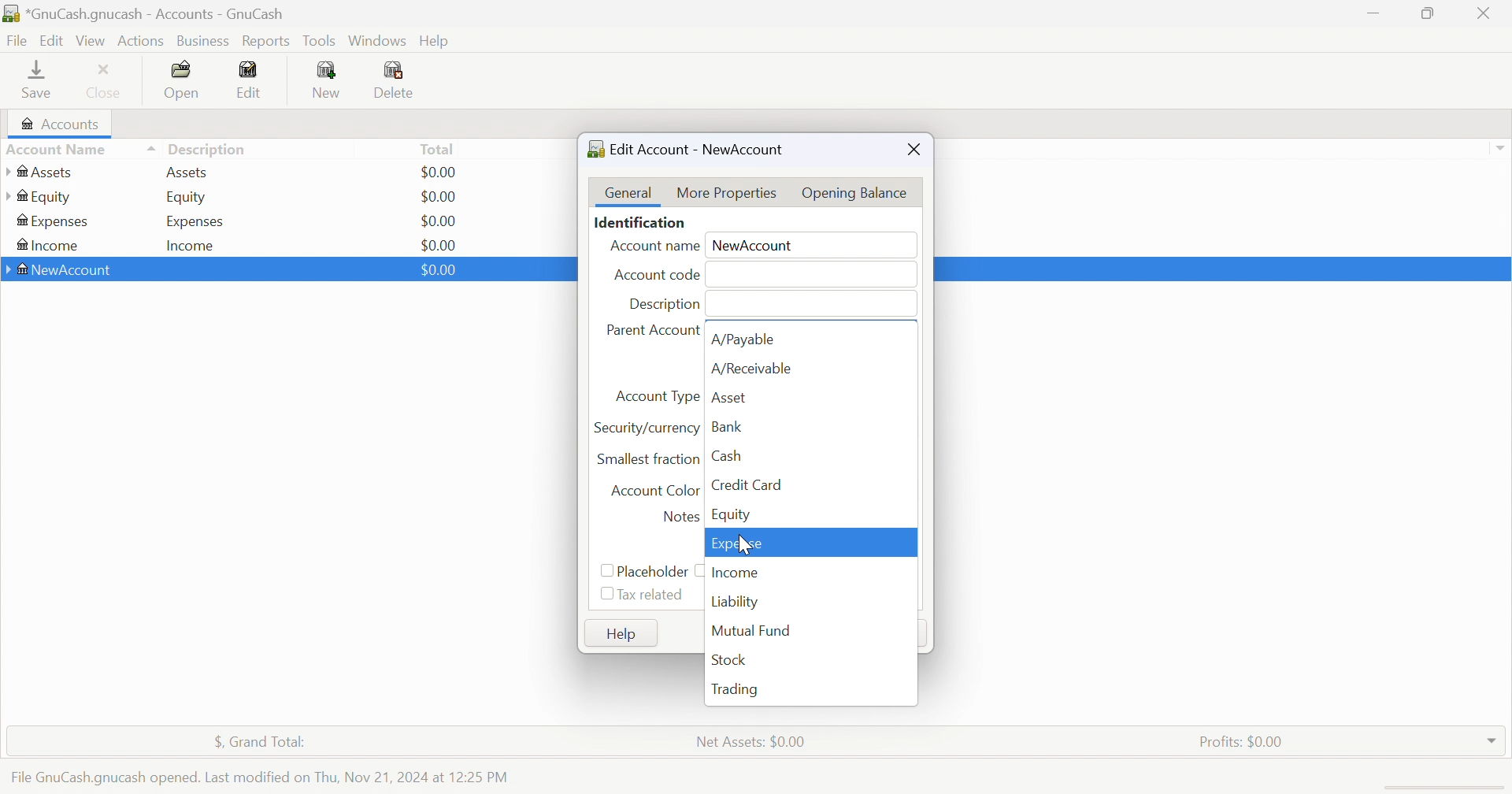  What do you see at coordinates (54, 222) in the screenshot?
I see `Expenses` at bounding box center [54, 222].